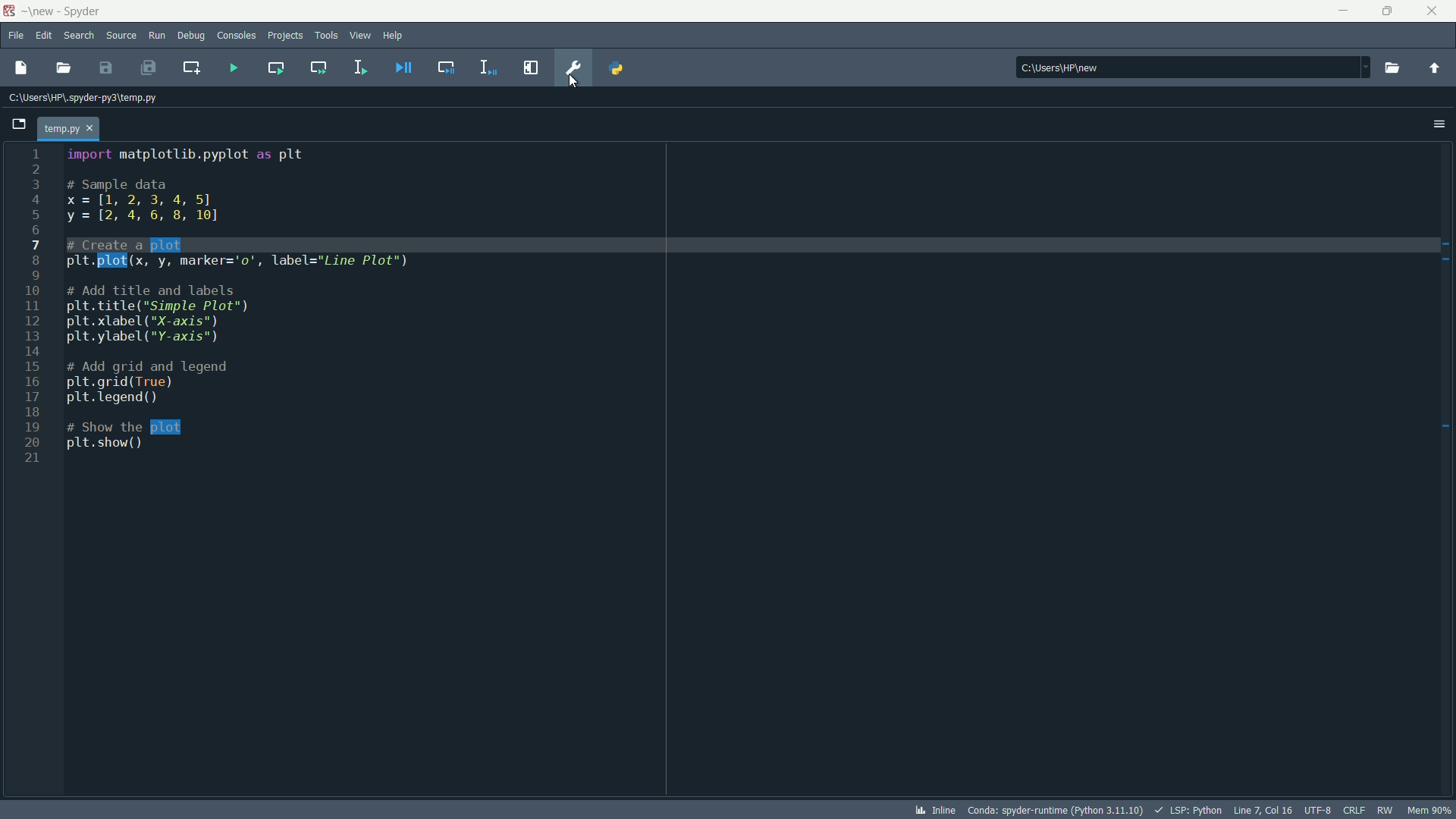 Image resolution: width=1456 pixels, height=819 pixels. What do you see at coordinates (156, 36) in the screenshot?
I see `run` at bounding box center [156, 36].